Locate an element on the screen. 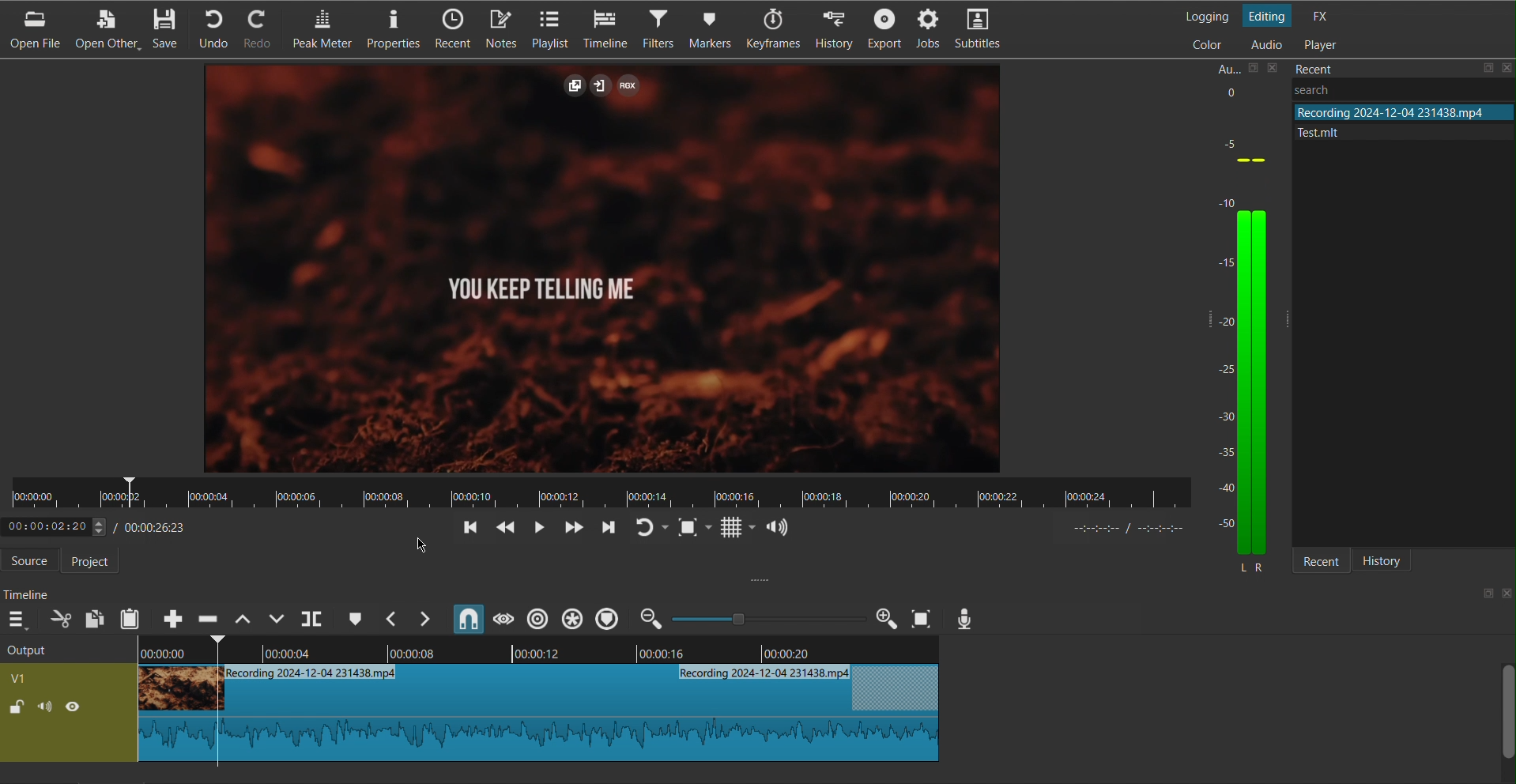 This screenshot has width=1516, height=784. Go back is located at coordinates (470, 529).